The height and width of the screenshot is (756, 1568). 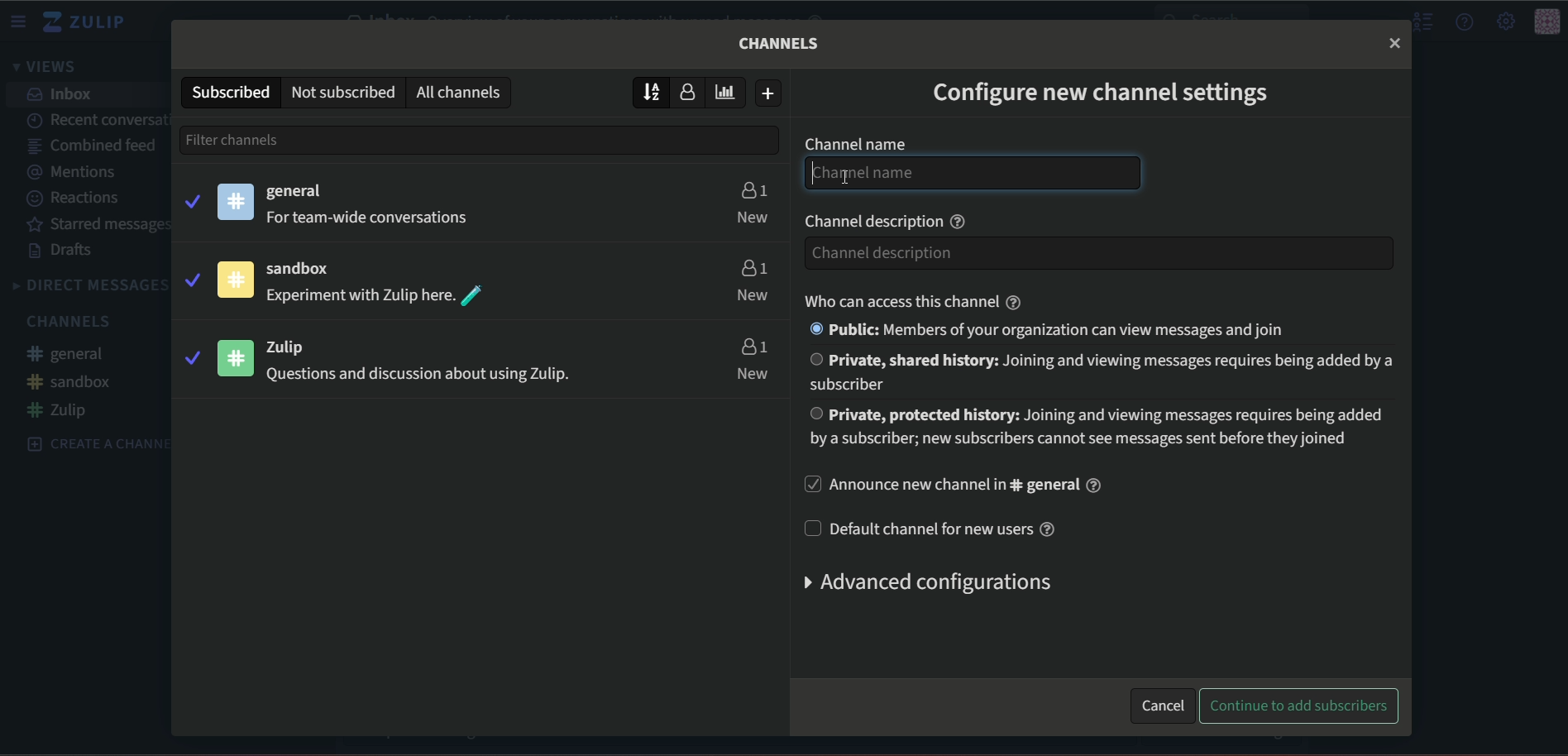 What do you see at coordinates (92, 147) in the screenshot?
I see `Combined feed` at bounding box center [92, 147].